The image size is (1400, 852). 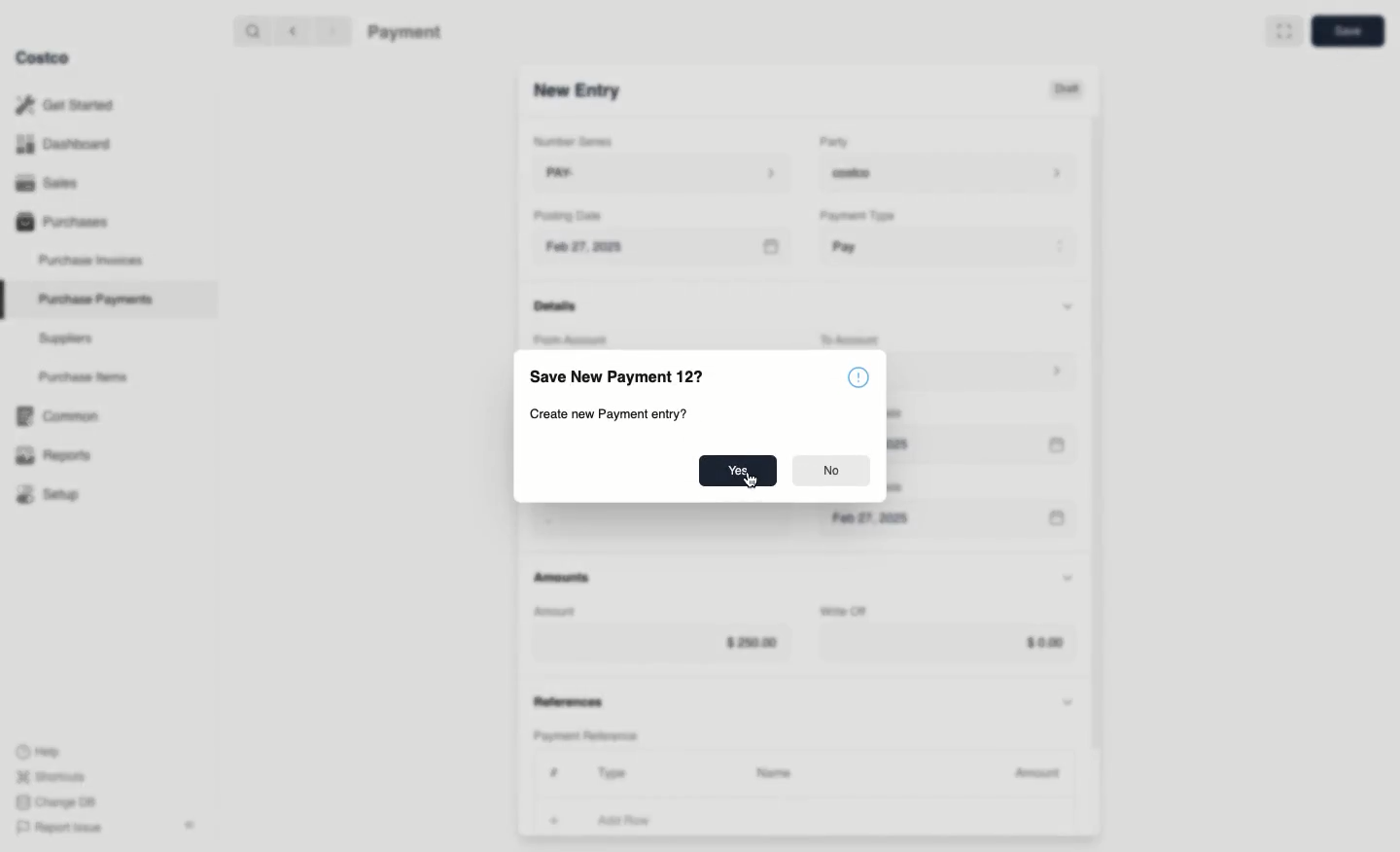 What do you see at coordinates (94, 298) in the screenshot?
I see `Purchase Payments` at bounding box center [94, 298].